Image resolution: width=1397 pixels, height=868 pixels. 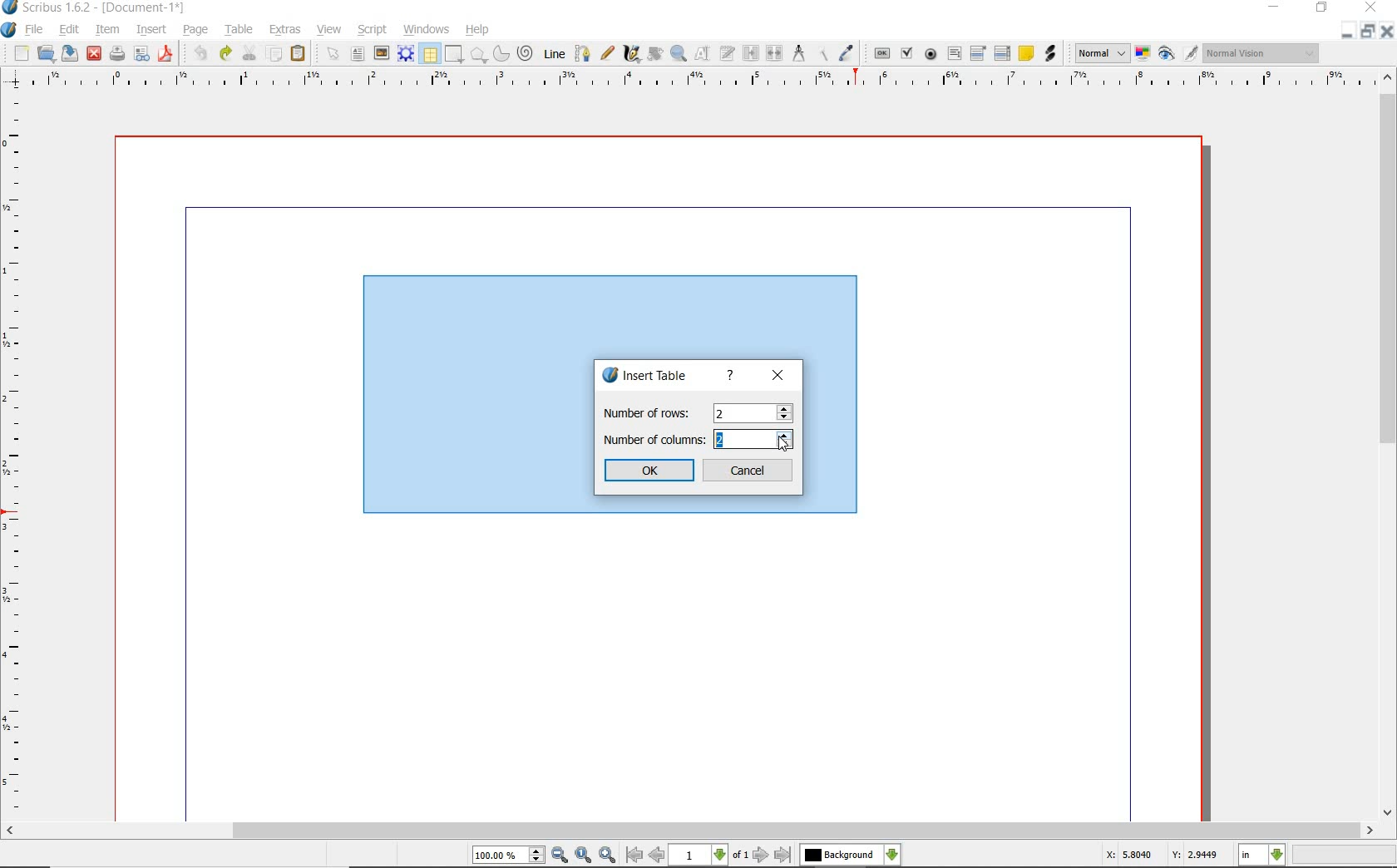 I want to click on select measurement, so click(x=1262, y=855).